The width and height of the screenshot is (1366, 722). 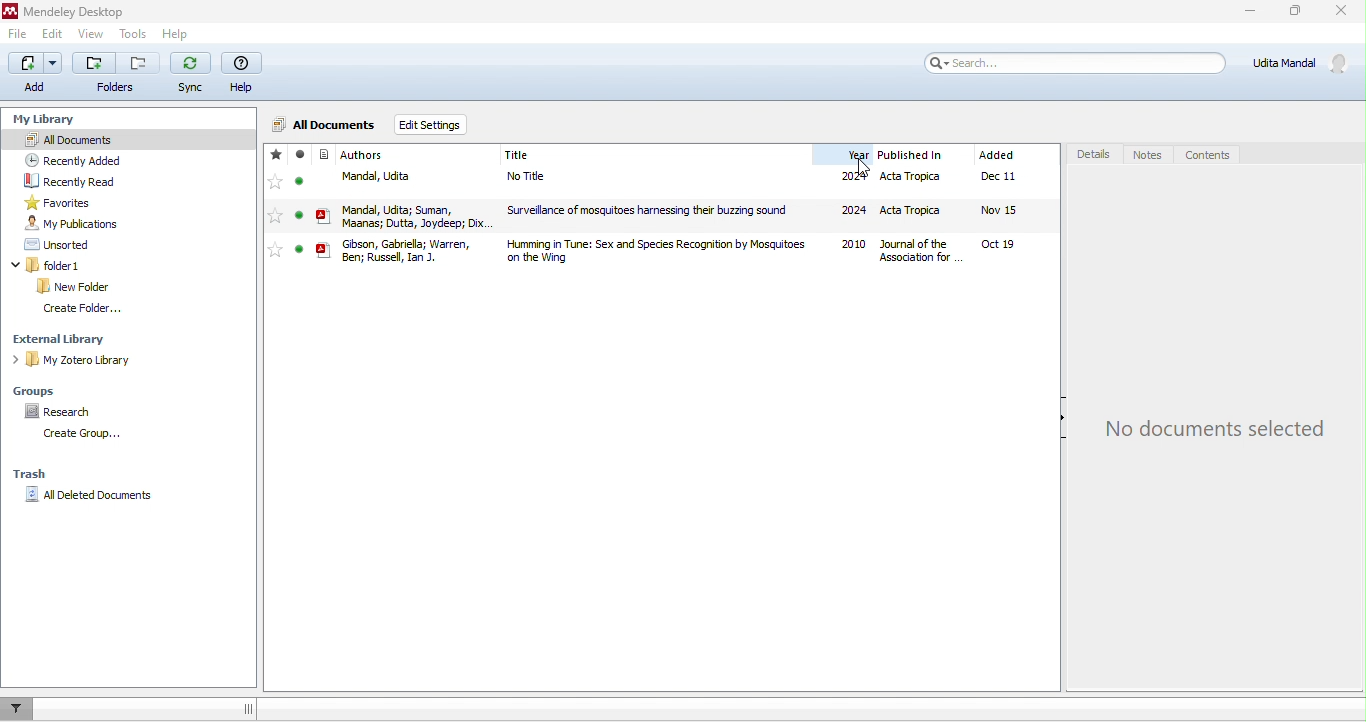 What do you see at coordinates (52, 412) in the screenshot?
I see `research` at bounding box center [52, 412].